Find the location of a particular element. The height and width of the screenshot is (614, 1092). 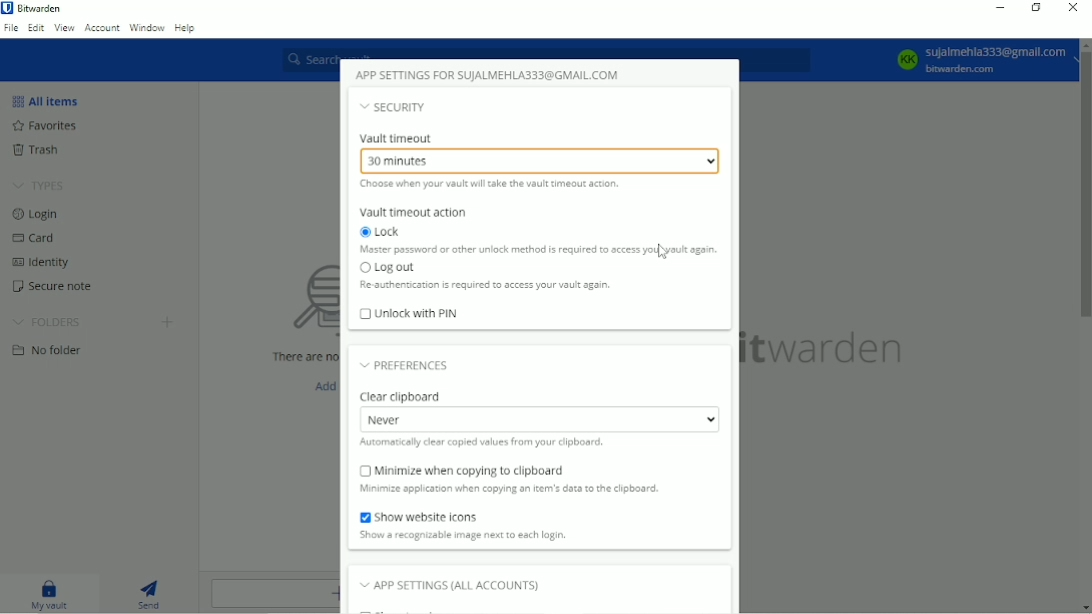

Send is located at coordinates (154, 595).